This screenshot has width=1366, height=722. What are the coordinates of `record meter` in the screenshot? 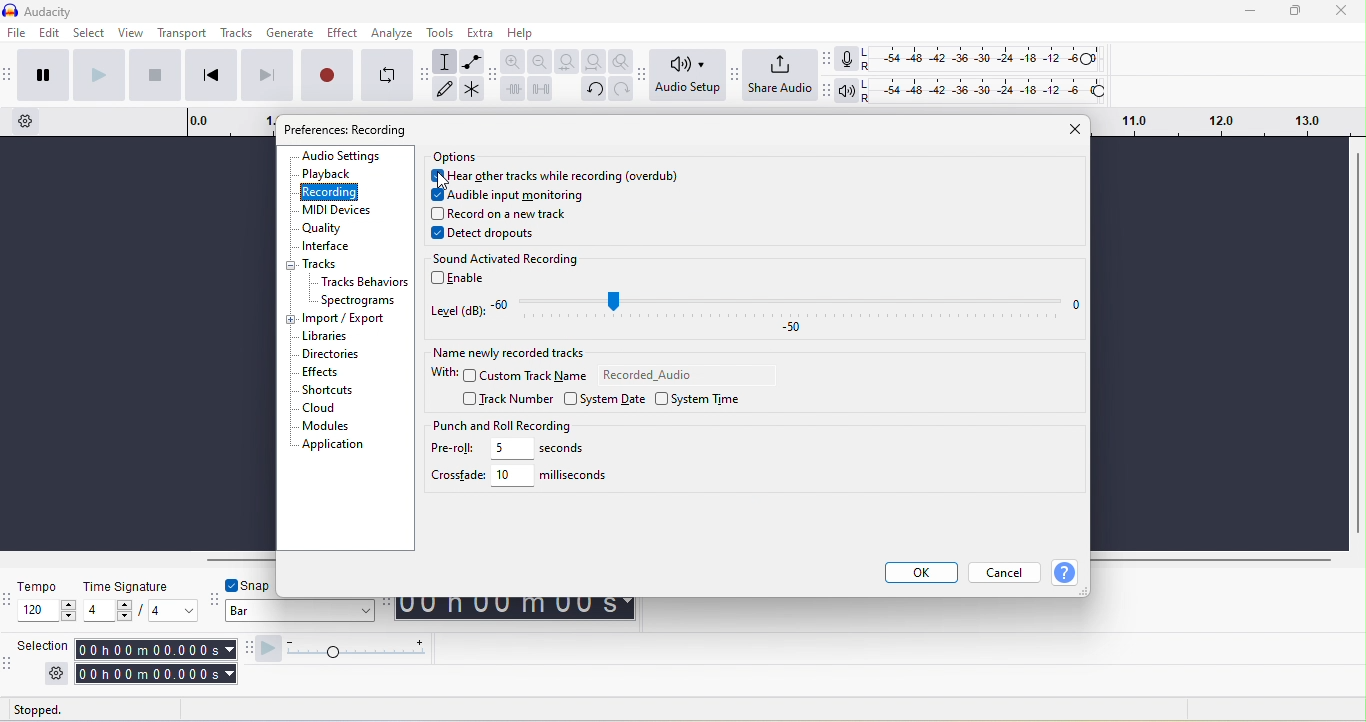 It's located at (849, 59).